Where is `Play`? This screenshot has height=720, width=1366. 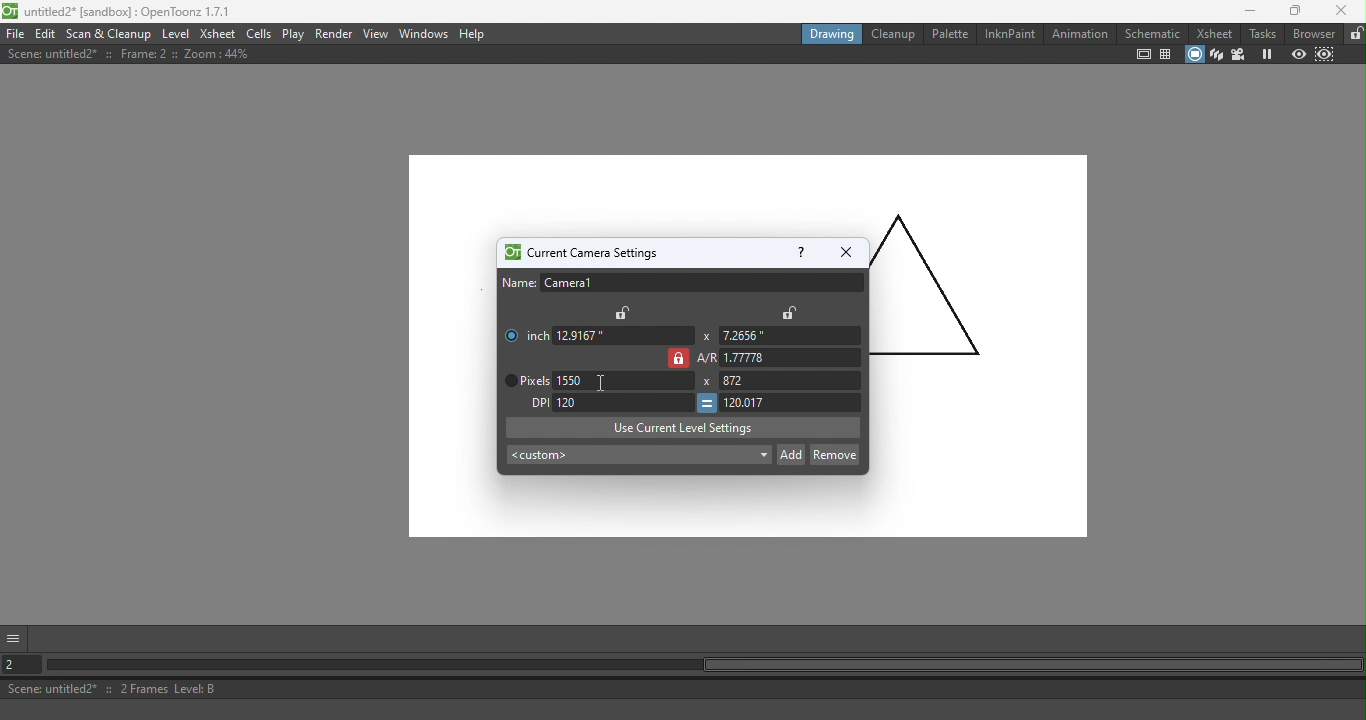 Play is located at coordinates (293, 34).